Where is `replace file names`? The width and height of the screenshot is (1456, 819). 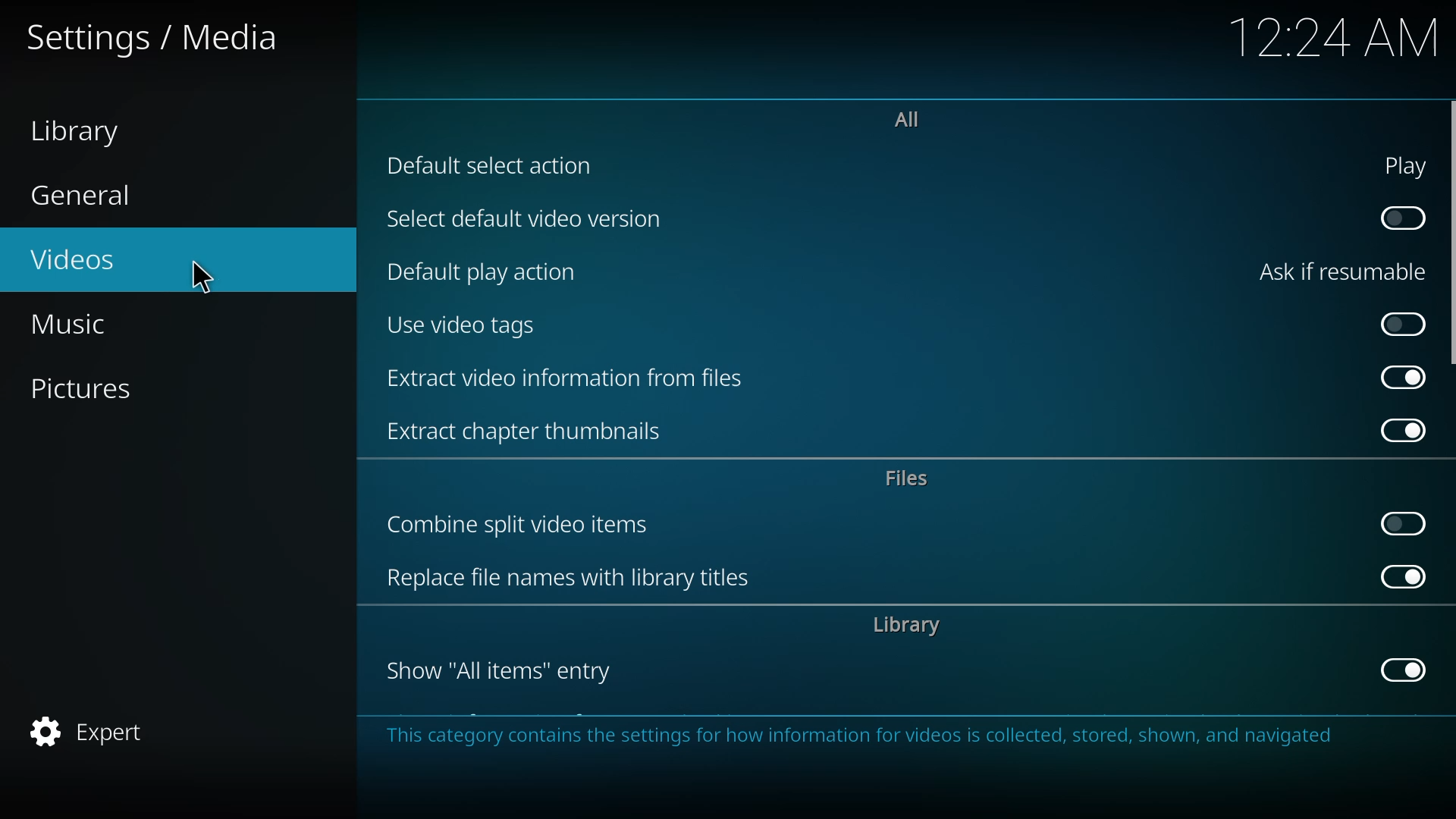 replace file names is located at coordinates (575, 578).